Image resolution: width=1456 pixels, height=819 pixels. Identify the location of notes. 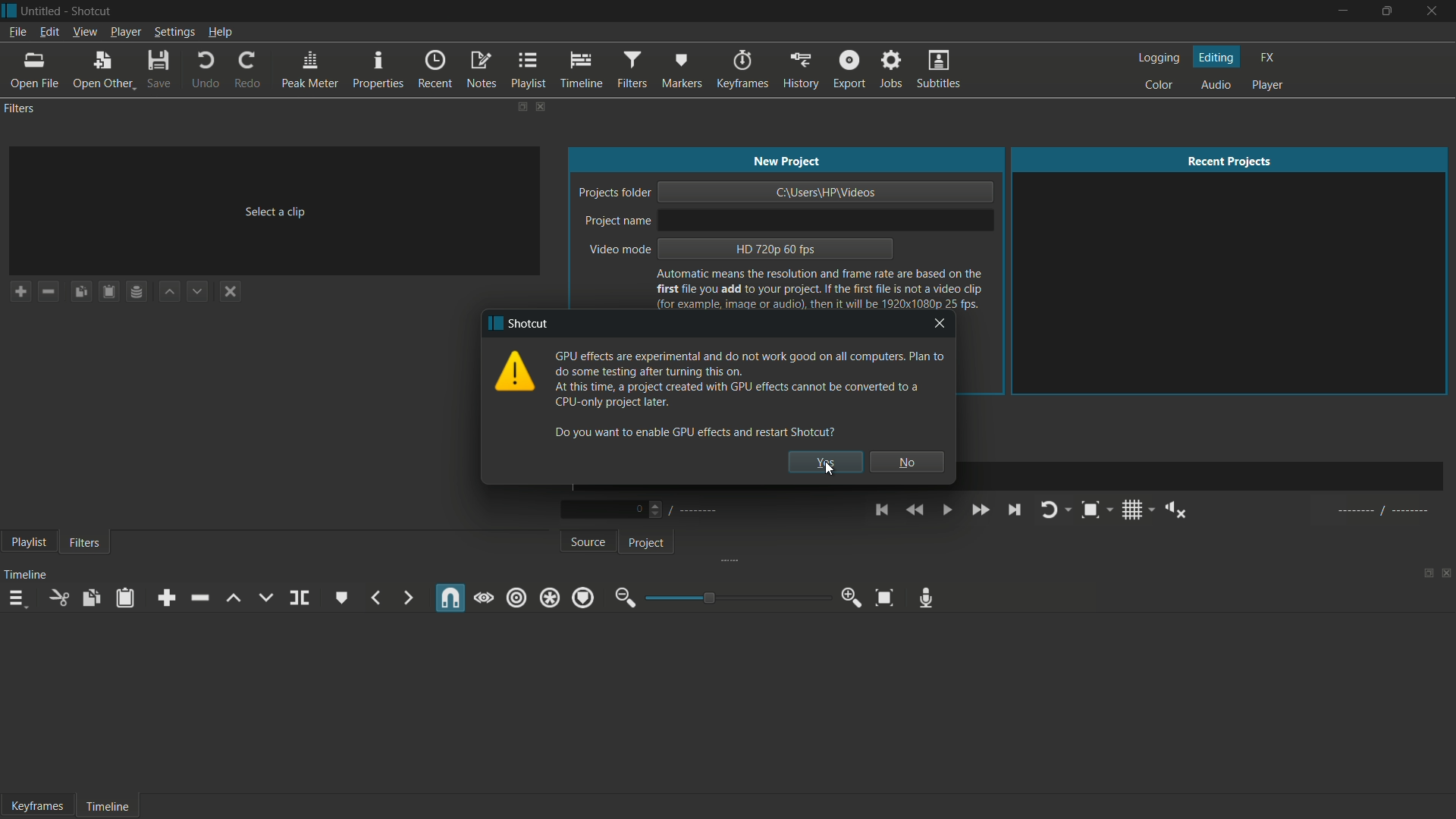
(481, 71).